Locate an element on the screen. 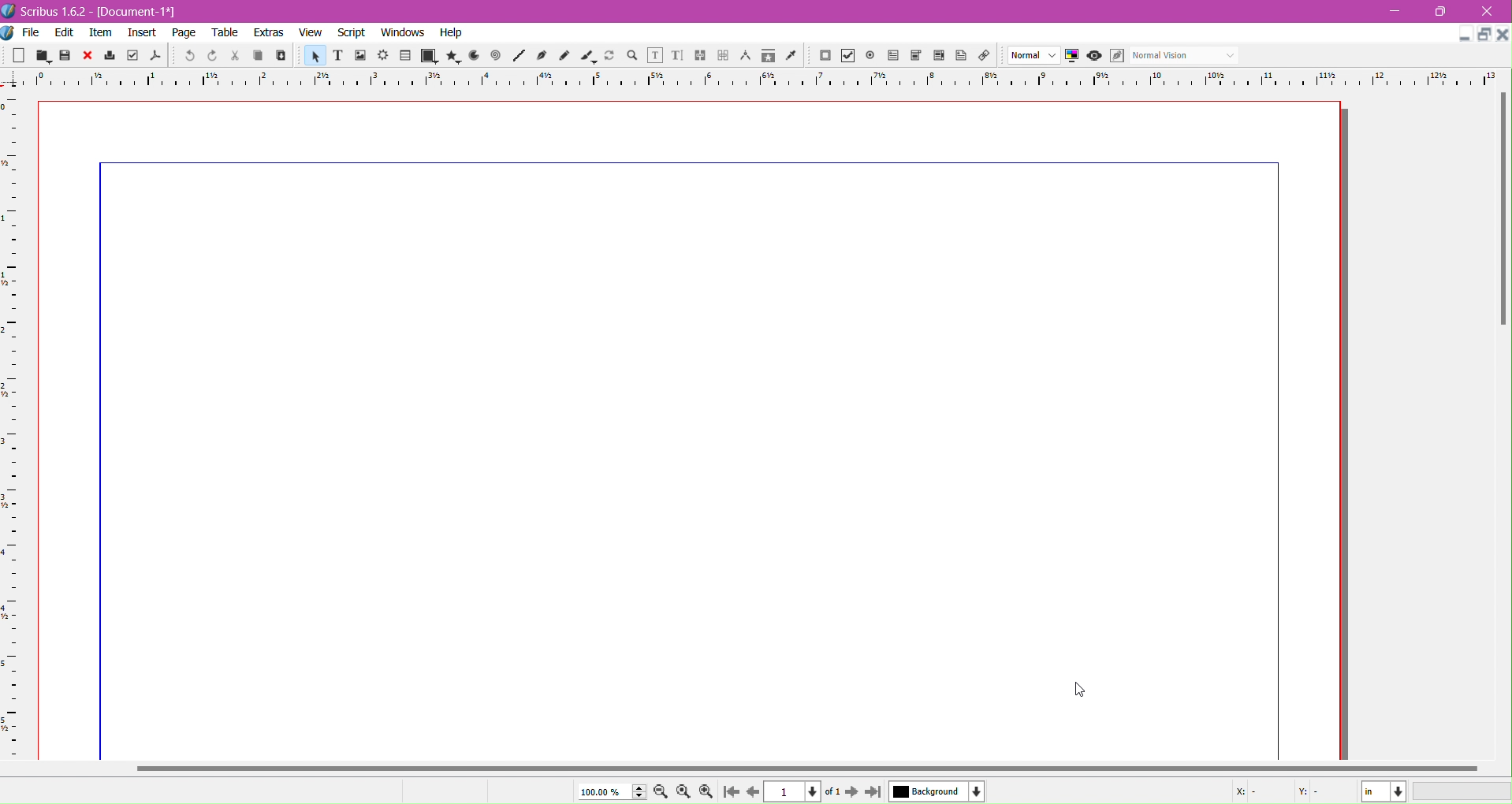 This screenshot has height=804, width=1512. preflight highlighter is located at coordinates (132, 56).